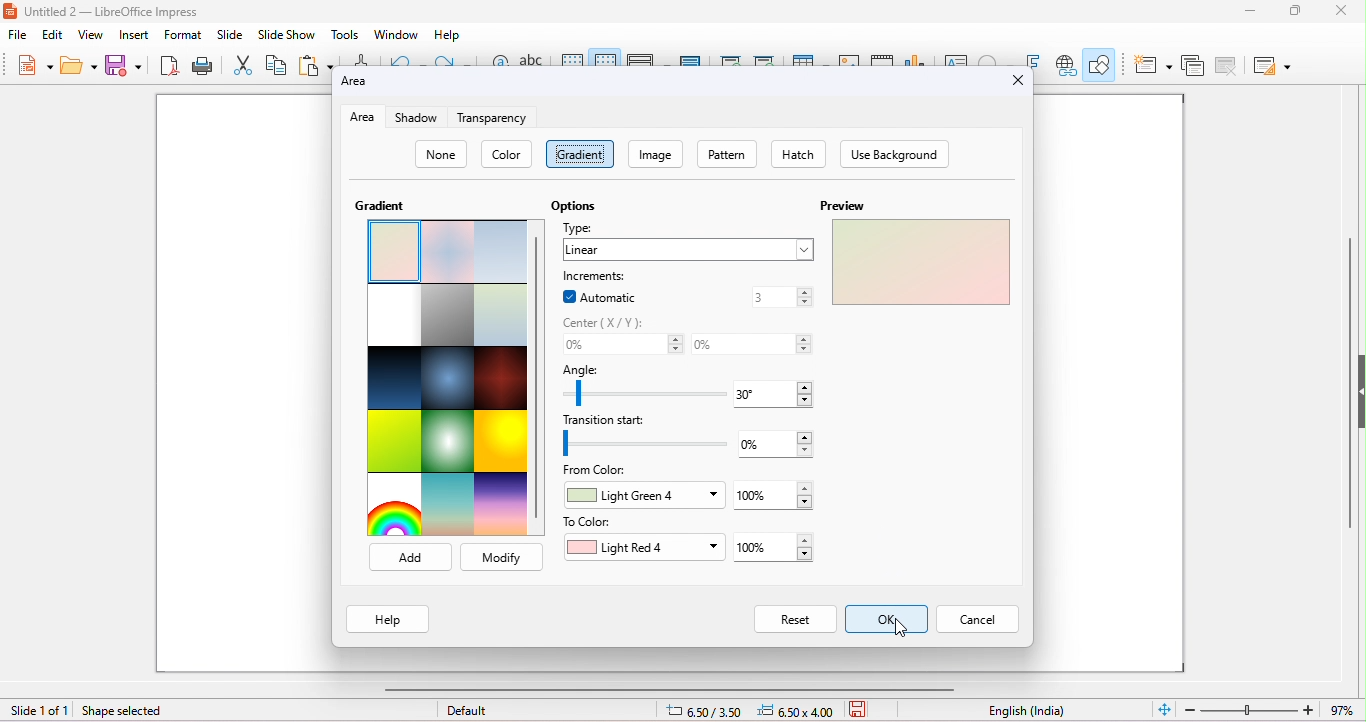 This screenshot has width=1366, height=722. Describe the element at coordinates (440, 154) in the screenshot. I see `none` at that location.